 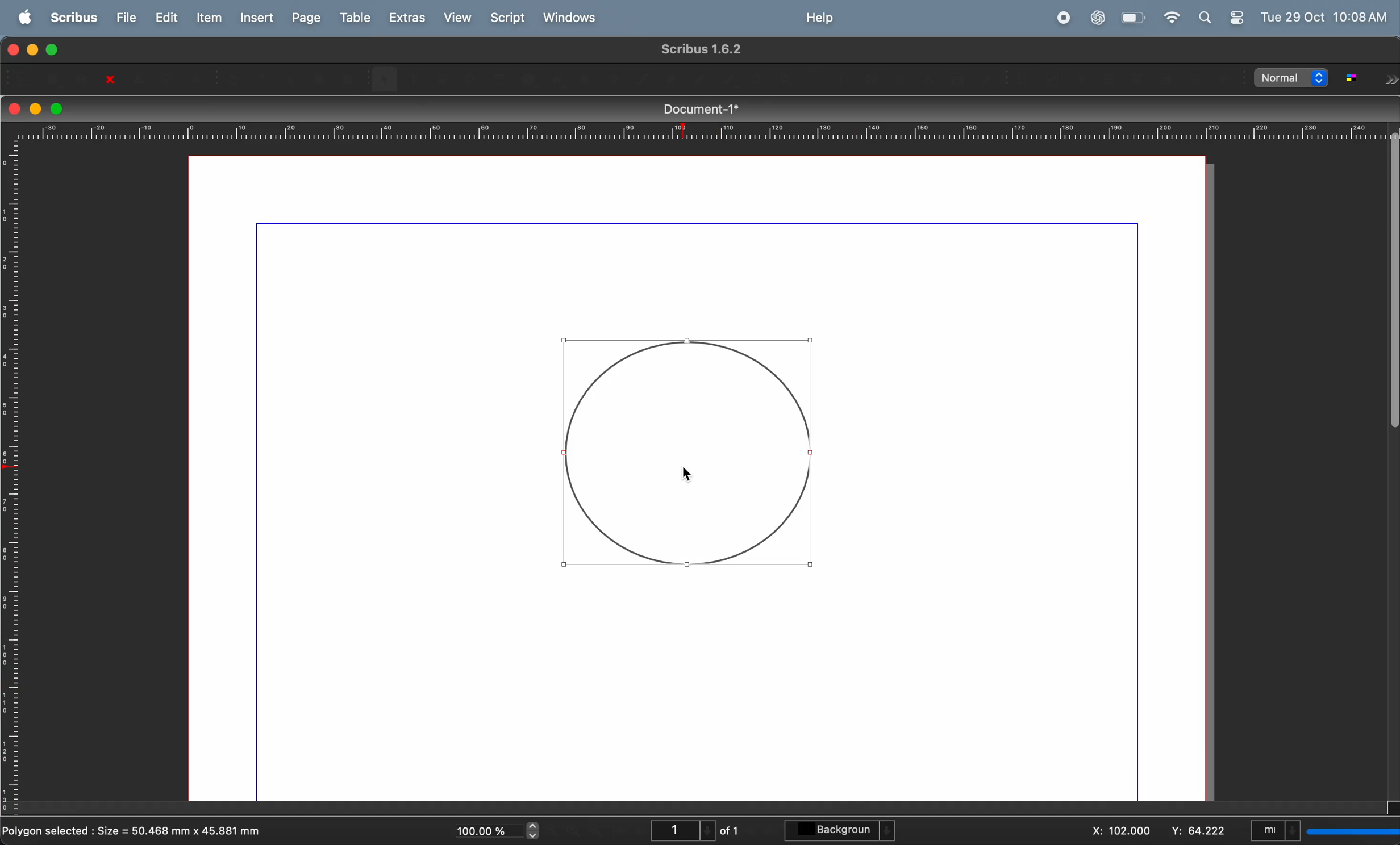 What do you see at coordinates (1327, 16) in the screenshot?
I see `Tue 29 OCt 10:08 AM` at bounding box center [1327, 16].